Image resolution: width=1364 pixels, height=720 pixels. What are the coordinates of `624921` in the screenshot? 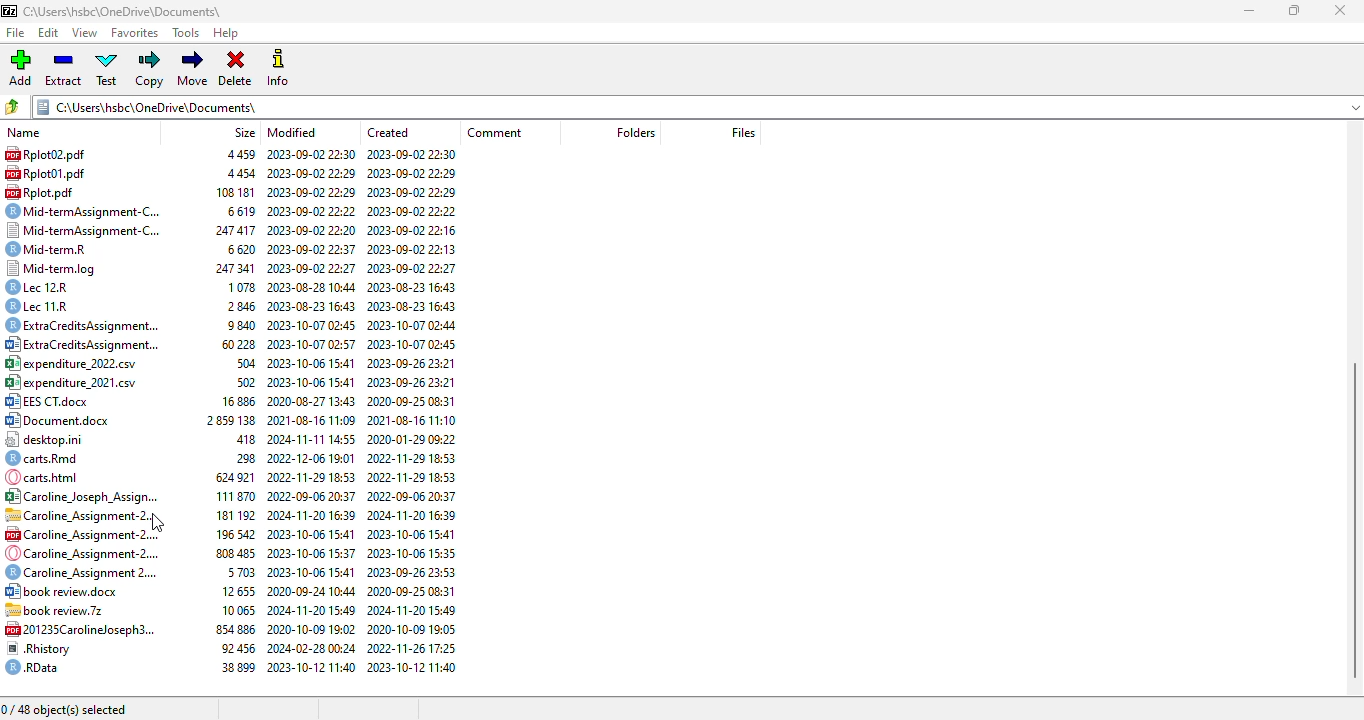 It's located at (233, 477).